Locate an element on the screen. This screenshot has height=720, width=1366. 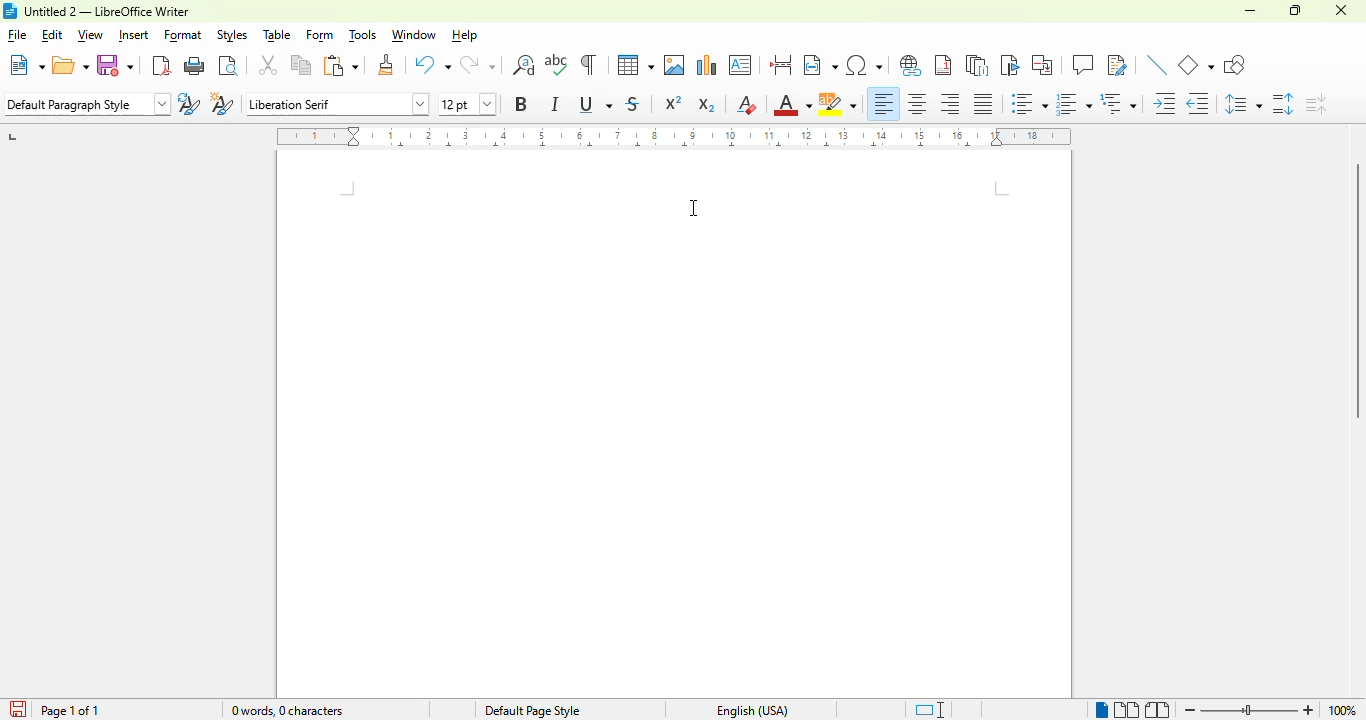
justified is located at coordinates (983, 103).